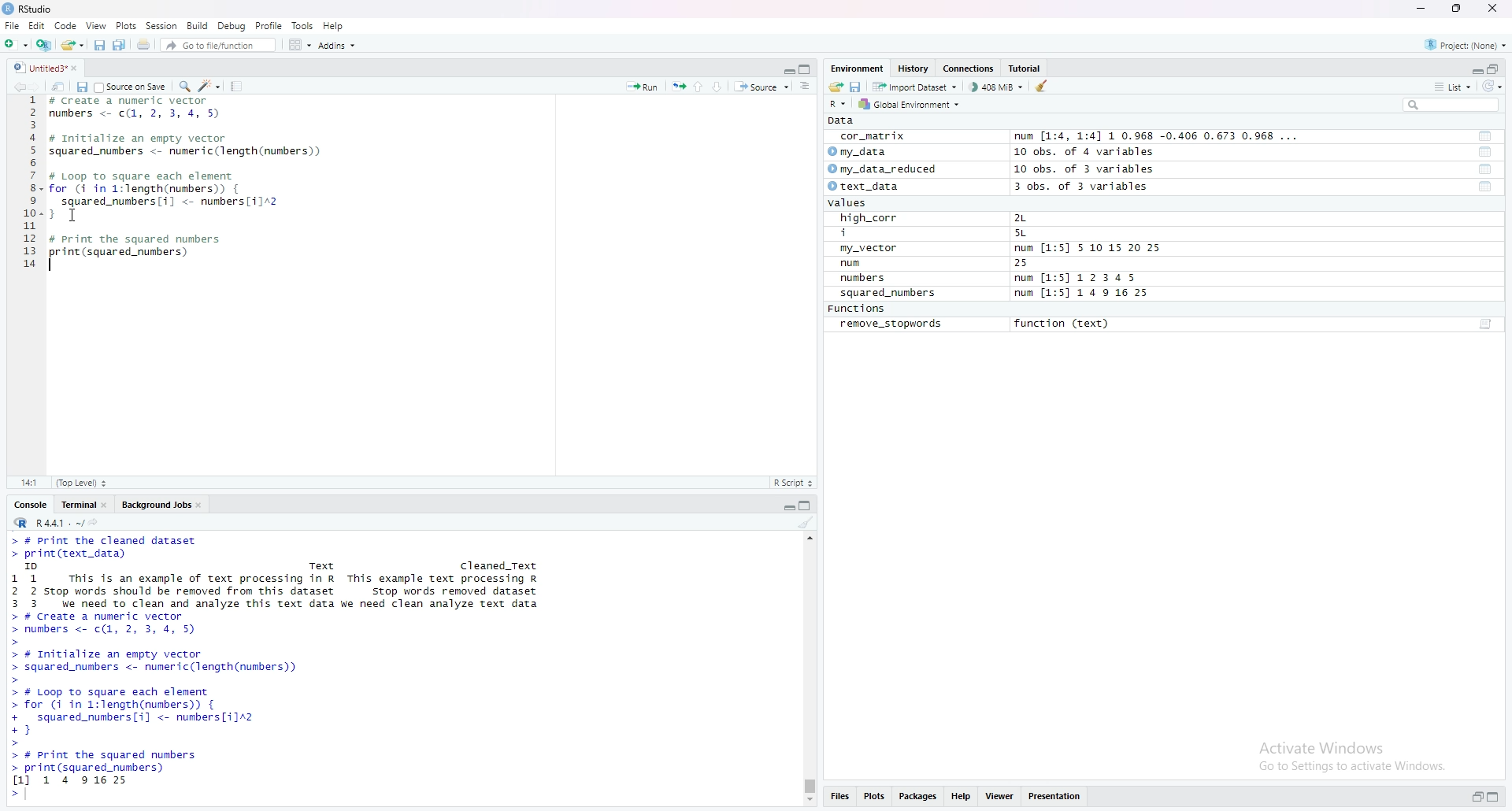 The image size is (1512, 811). Describe the element at coordinates (808, 504) in the screenshot. I see `maximize` at that location.